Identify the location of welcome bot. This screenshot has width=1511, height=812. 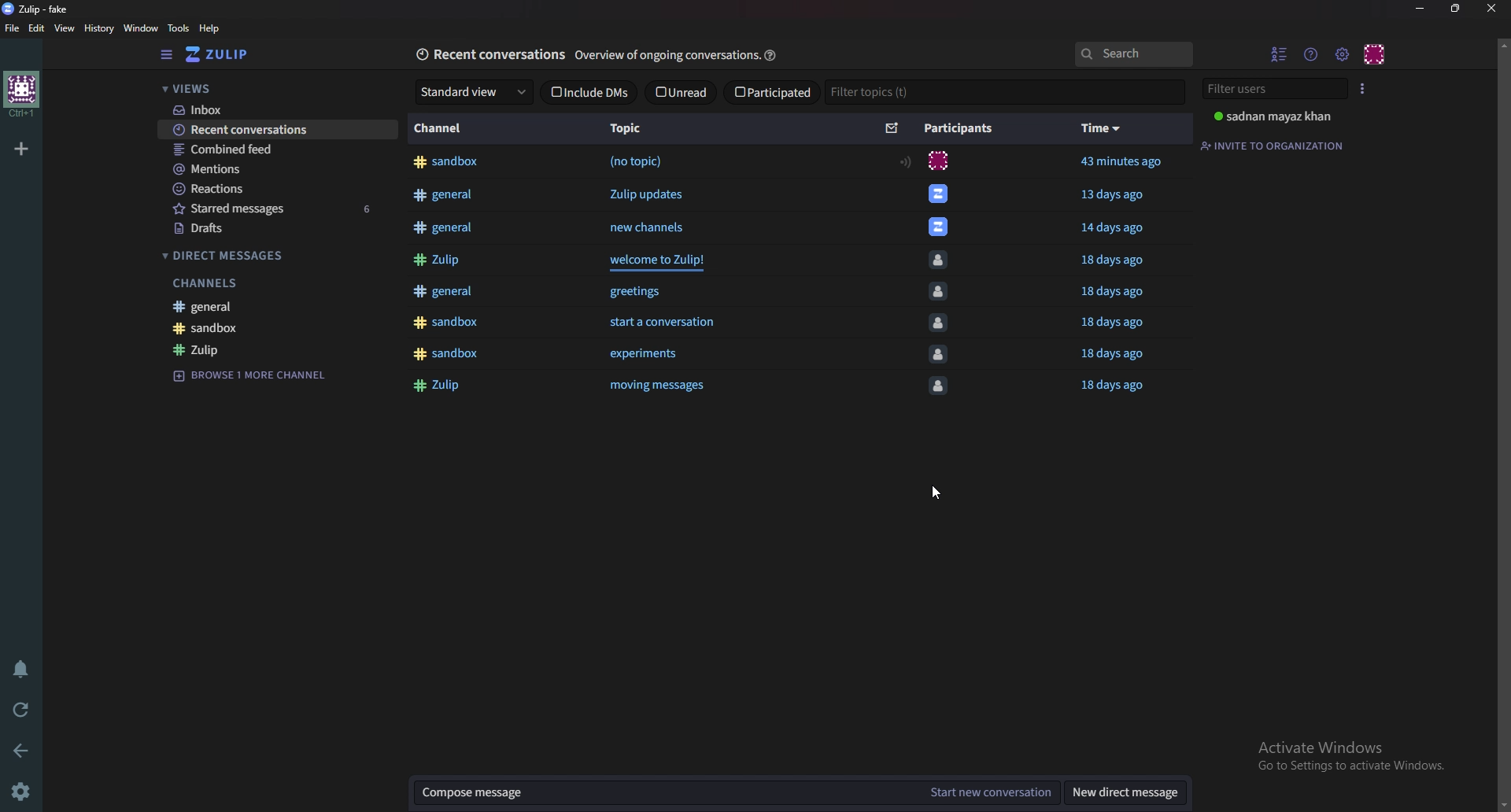
(273, 281).